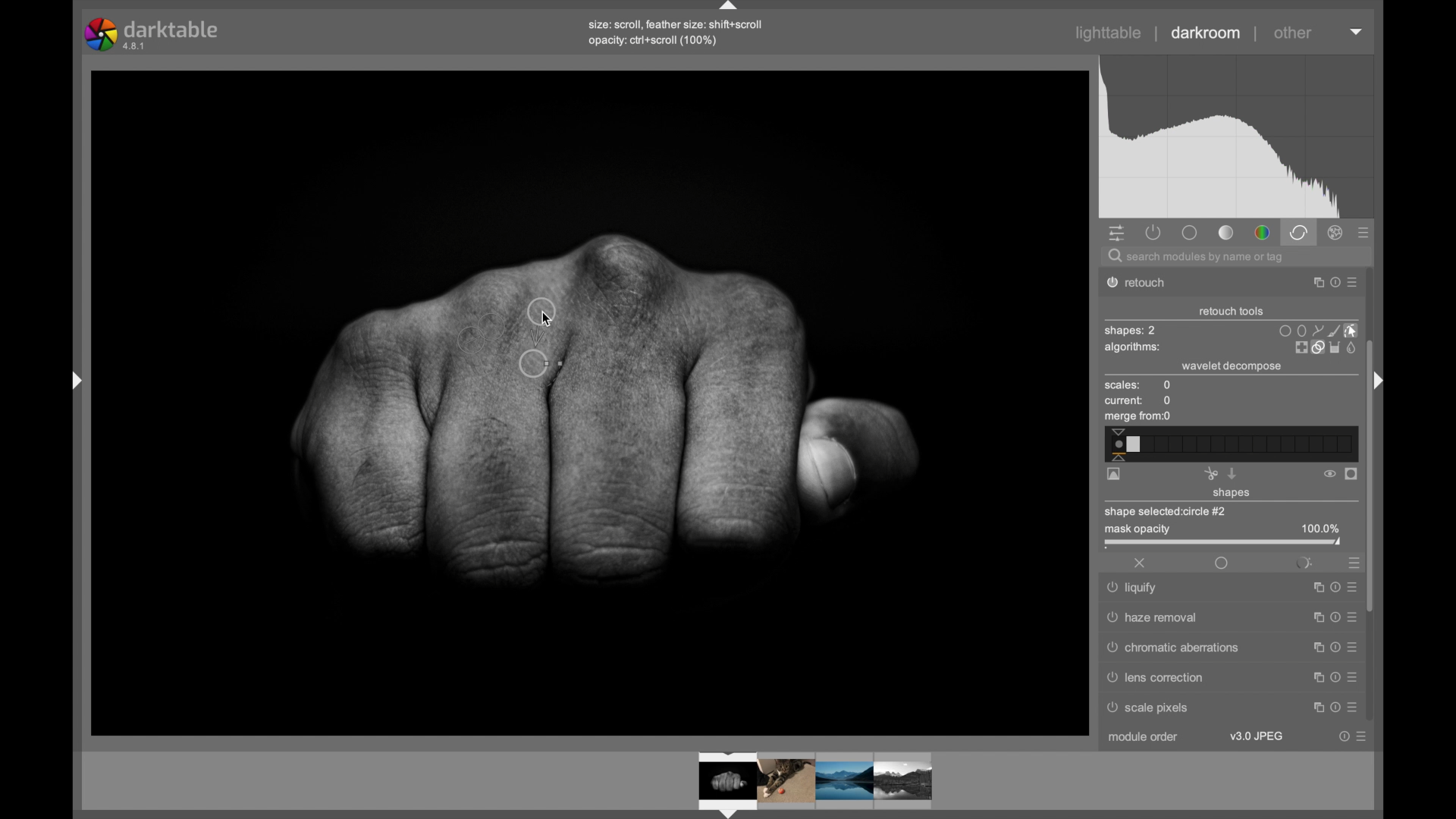 This screenshot has width=1456, height=819. I want to click on tone, so click(1227, 233).